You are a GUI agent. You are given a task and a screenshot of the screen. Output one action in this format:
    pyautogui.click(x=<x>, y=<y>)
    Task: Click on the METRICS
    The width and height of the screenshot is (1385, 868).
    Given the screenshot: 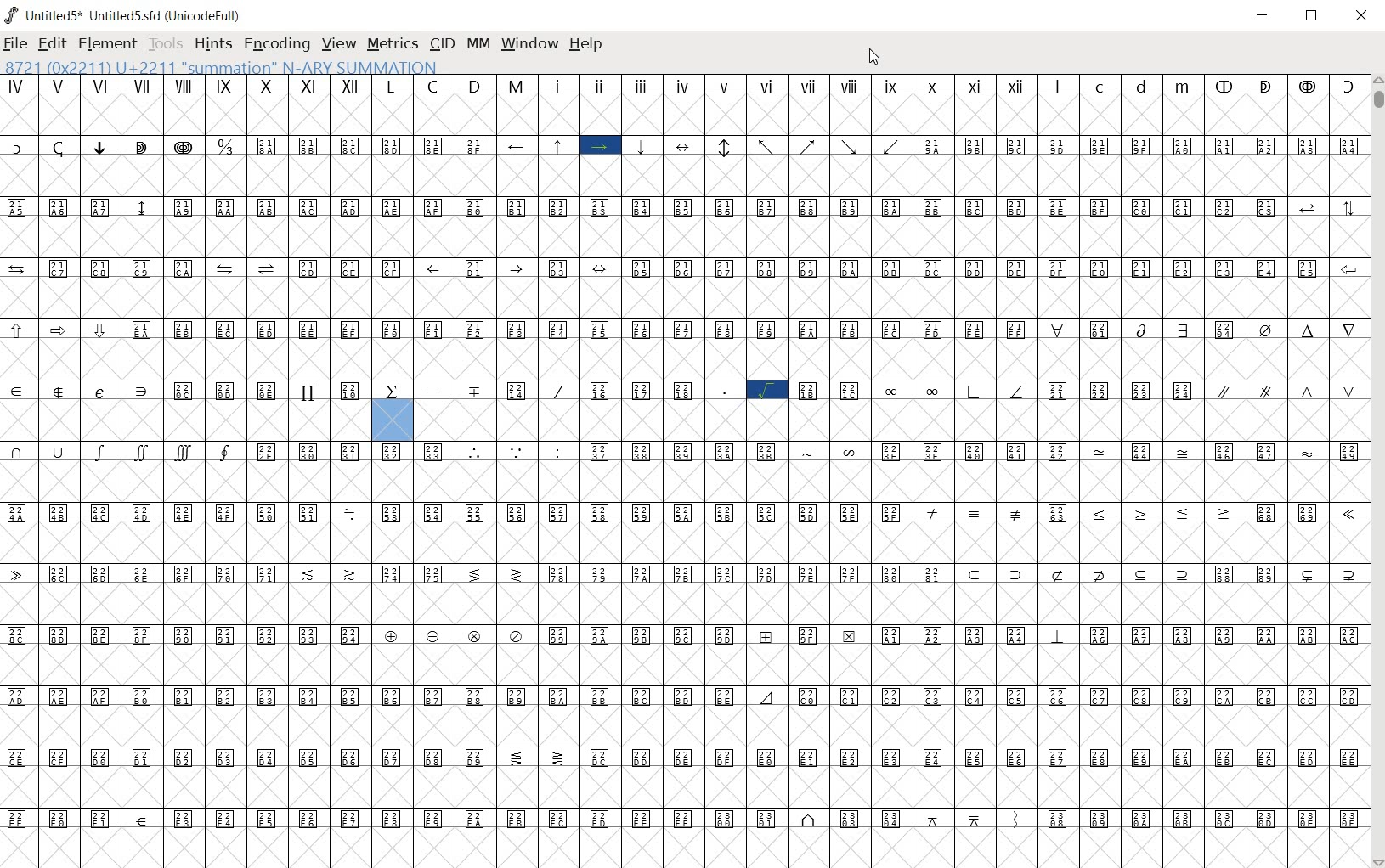 What is the action you would take?
    pyautogui.click(x=392, y=43)
    